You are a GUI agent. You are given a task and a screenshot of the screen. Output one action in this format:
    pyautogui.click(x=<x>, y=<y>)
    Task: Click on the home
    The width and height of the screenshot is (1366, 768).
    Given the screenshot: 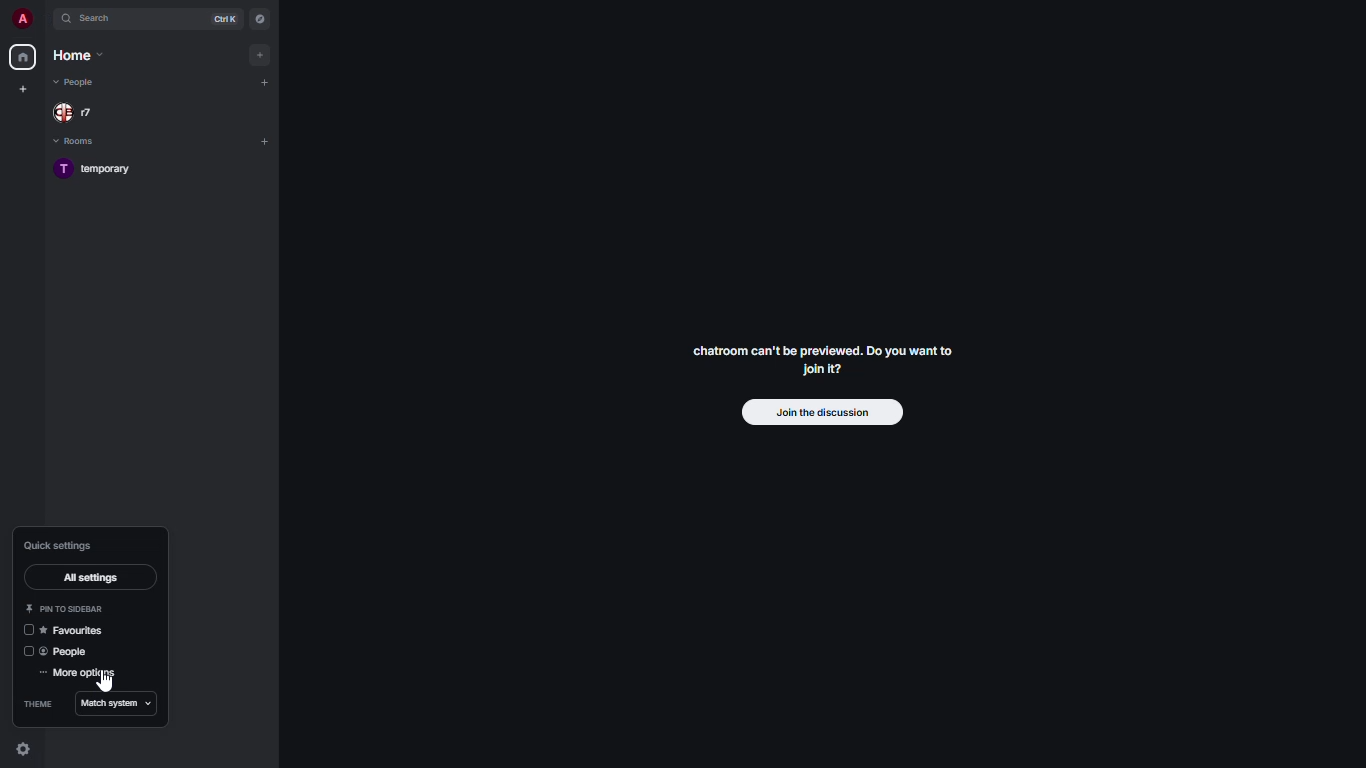 What is the action you would take?
    pyautogui.click(x=24, y=56)
    